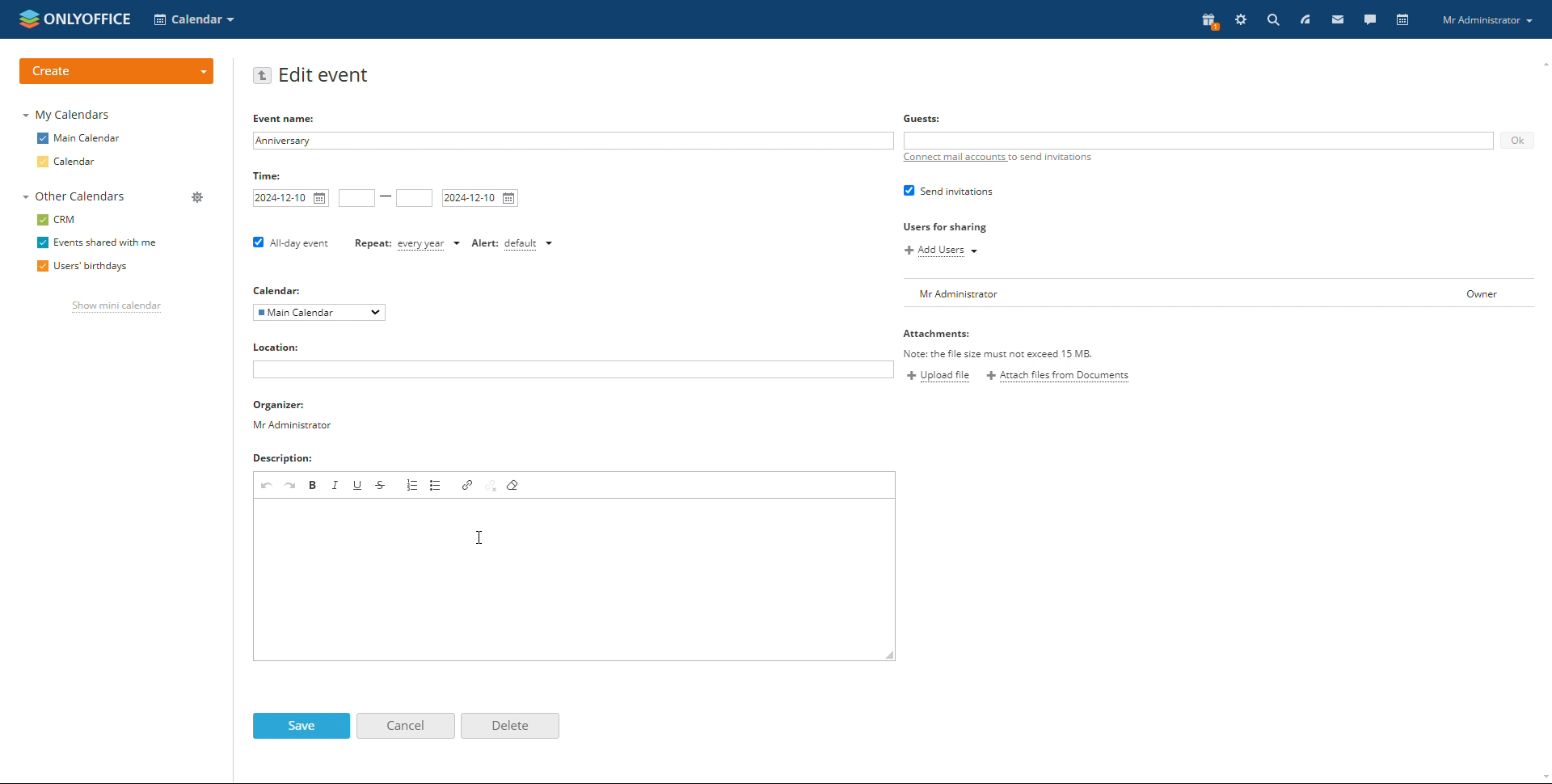  What do you see at coordinates (994, 158) in the screenshot?
I see `connect mail accounts` at bounding box center [994, 158].